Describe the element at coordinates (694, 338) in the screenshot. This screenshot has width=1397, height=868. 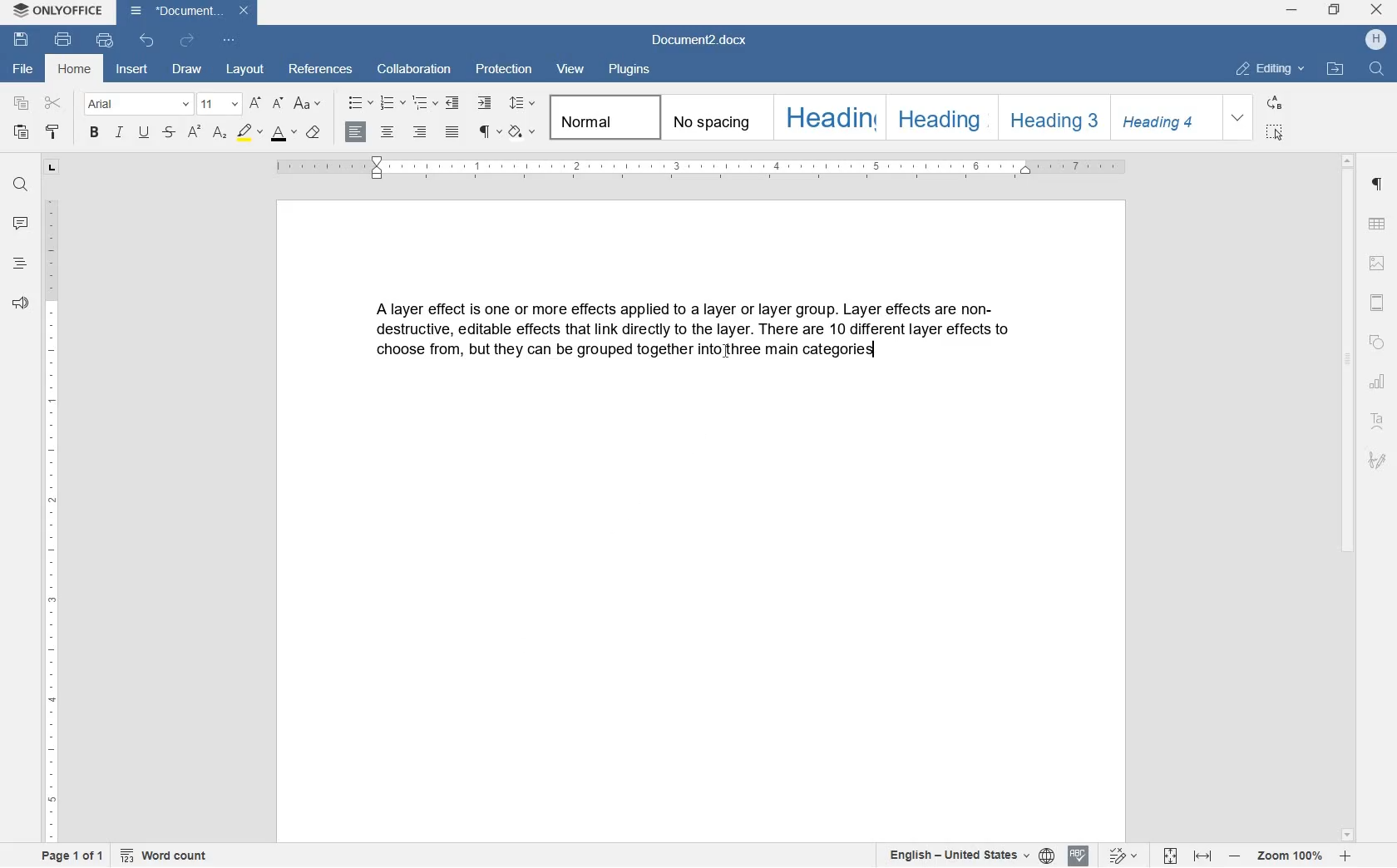
I see `block of text written by user` at that location.